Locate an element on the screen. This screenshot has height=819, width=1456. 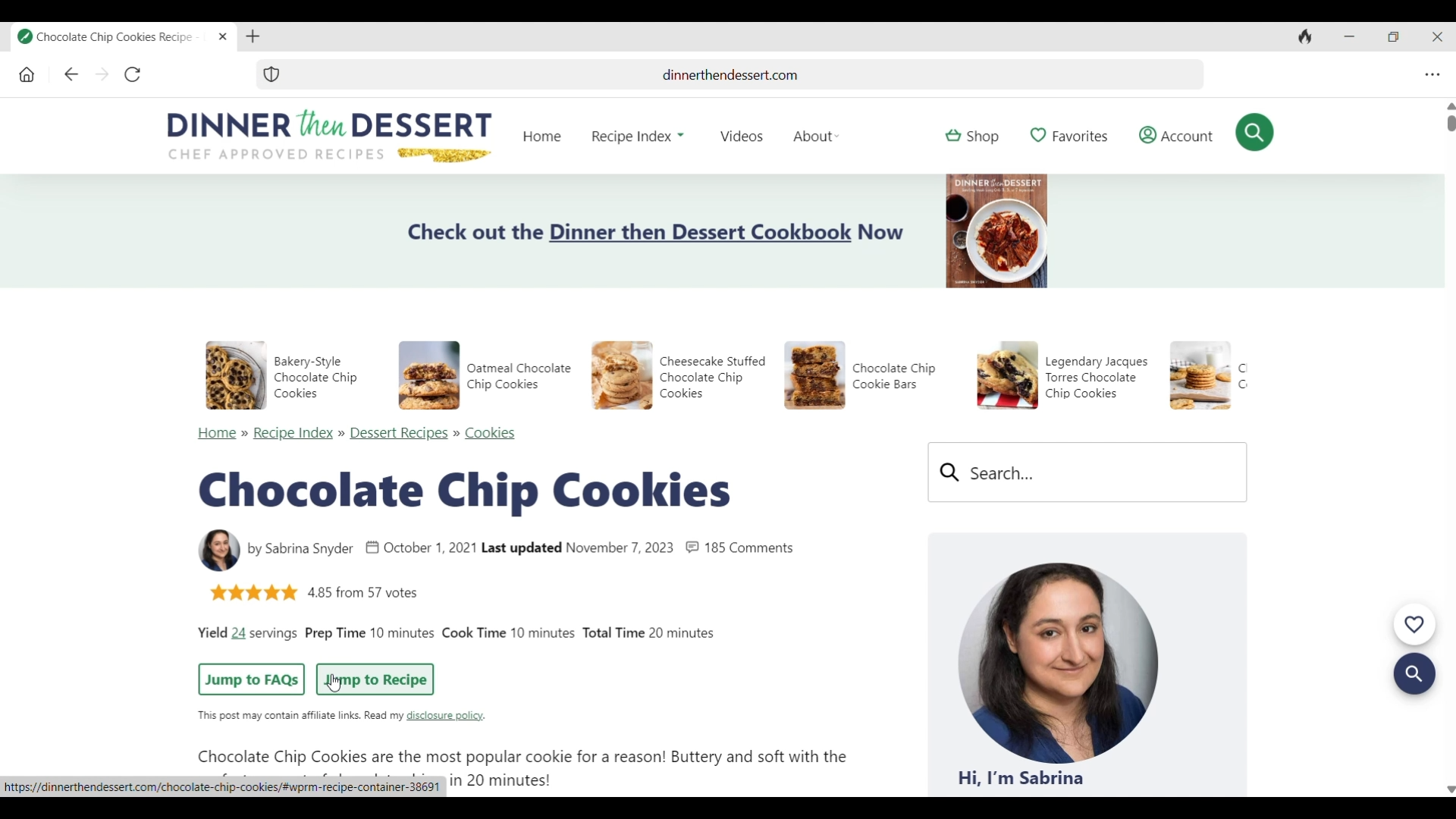
disclosure policy. is located at coordinates (448, 716).